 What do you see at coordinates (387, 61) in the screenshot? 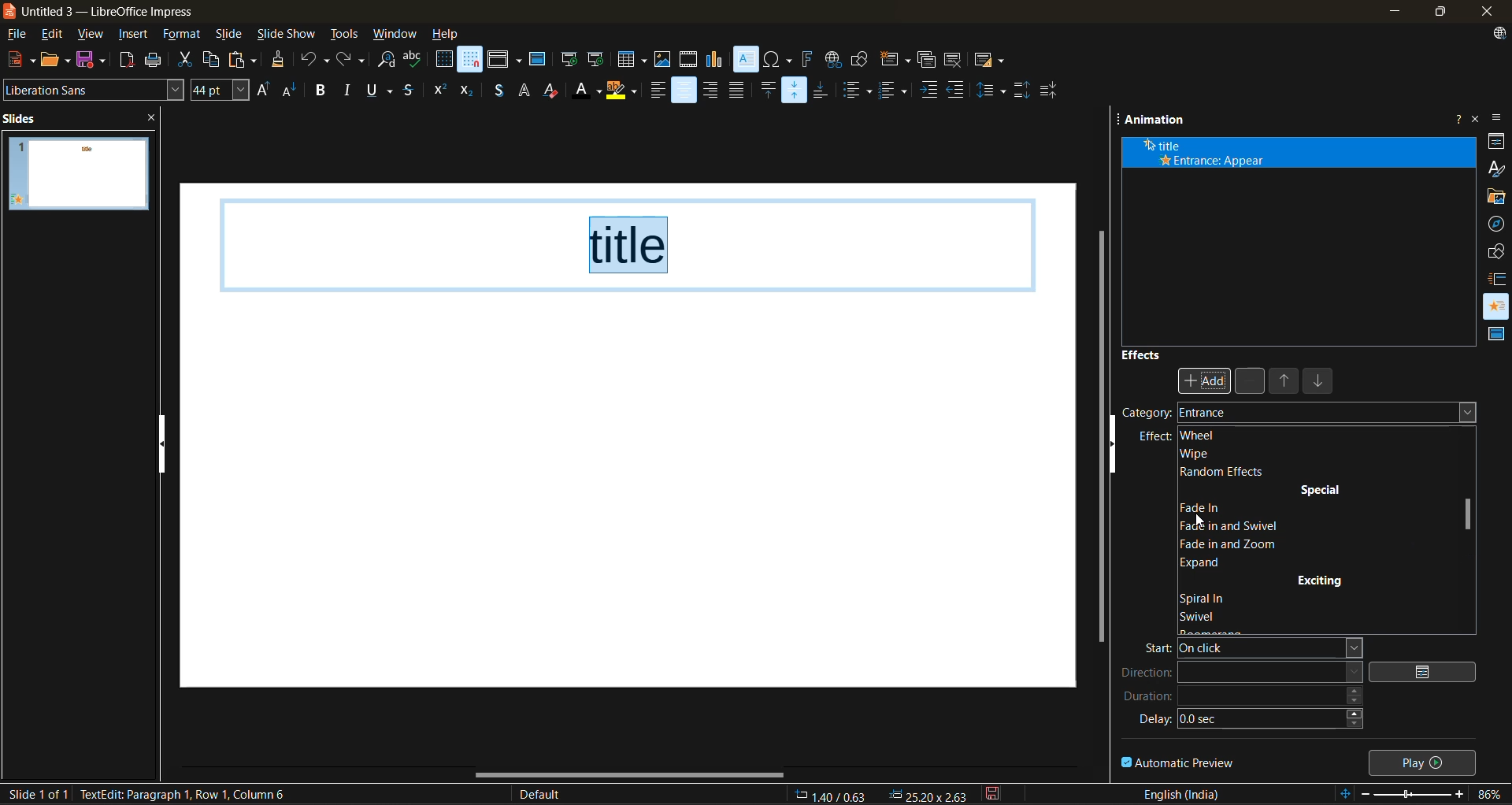
I see `find and replace` at bounding box center [387, 61].